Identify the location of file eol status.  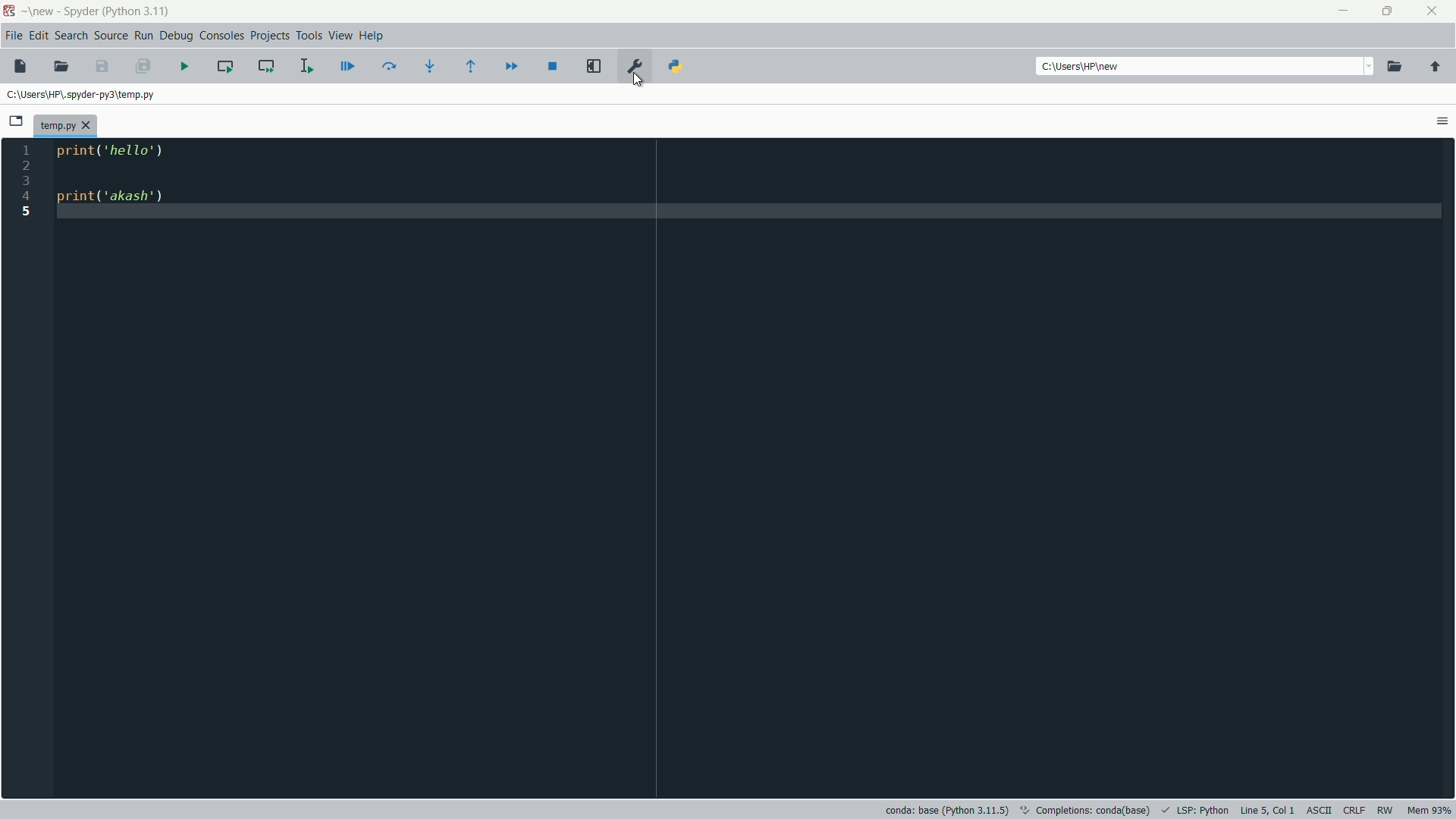
(1353, 811).